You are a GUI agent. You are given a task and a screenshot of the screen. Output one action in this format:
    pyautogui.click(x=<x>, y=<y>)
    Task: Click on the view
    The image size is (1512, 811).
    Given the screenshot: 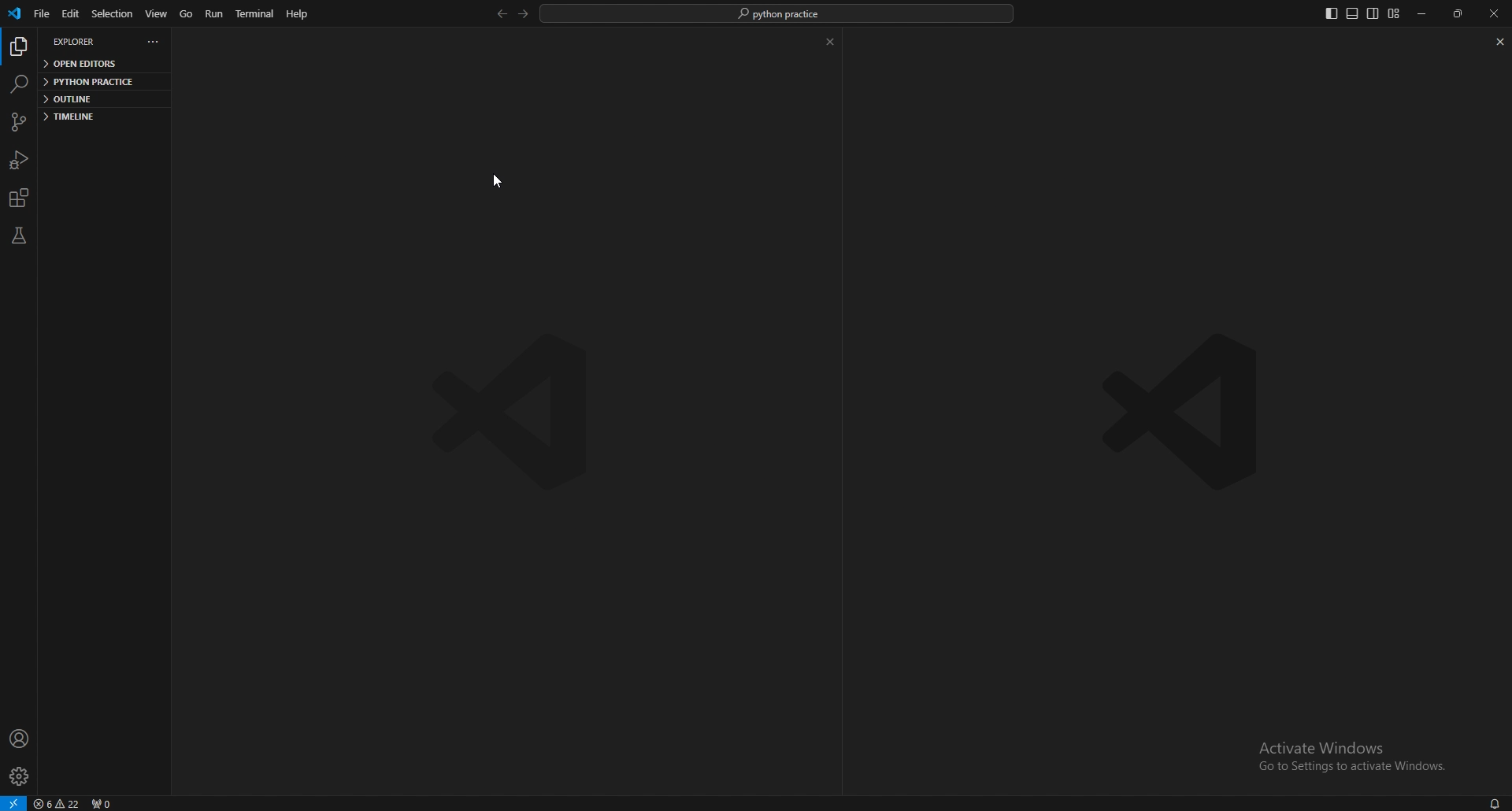 What is the action you would take?
    pyautogui.click(x=157, y=13)
    